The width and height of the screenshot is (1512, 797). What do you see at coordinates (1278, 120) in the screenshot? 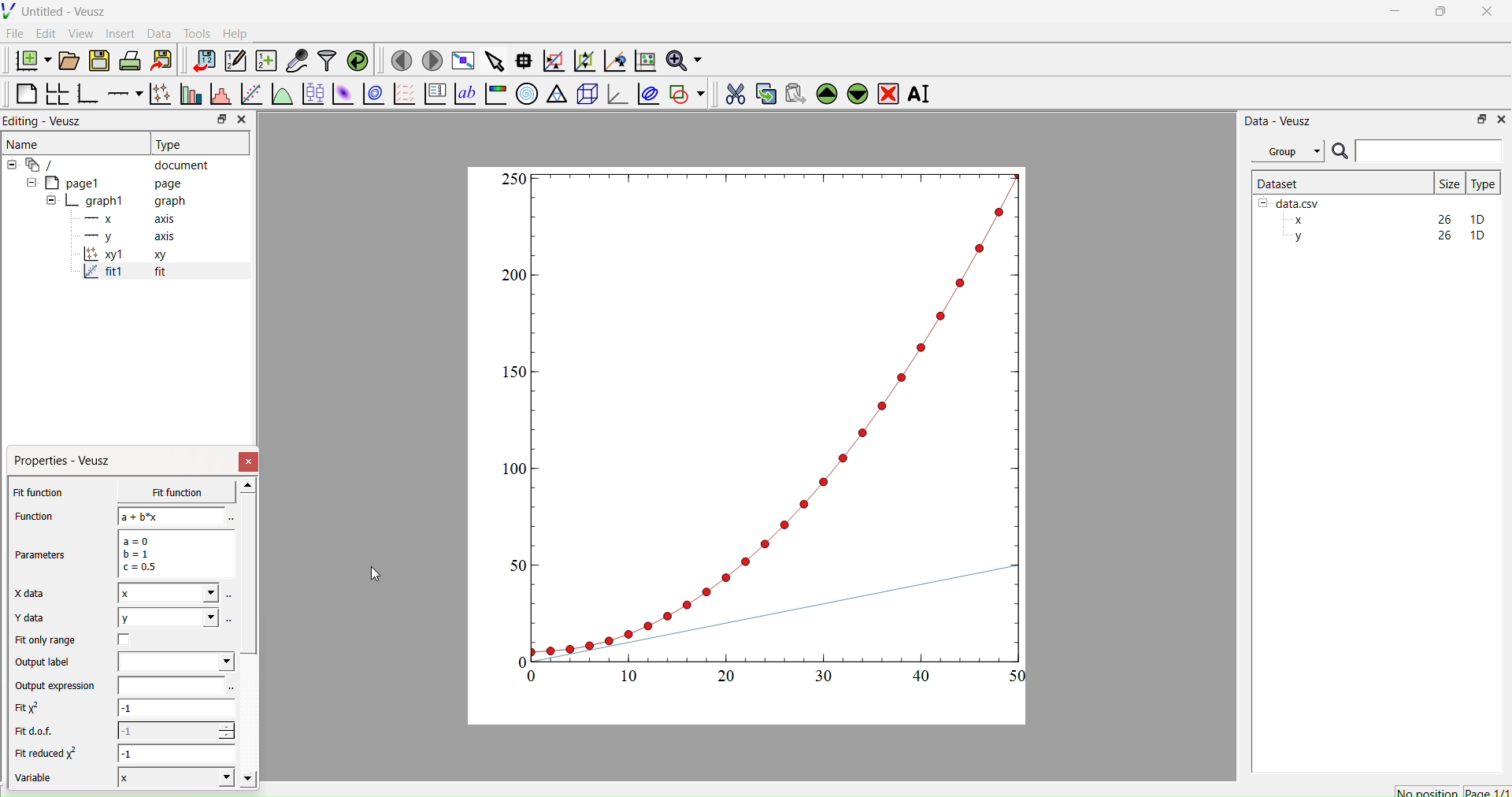
I see `Data - Veusz` at bounding box center [1278, 120].